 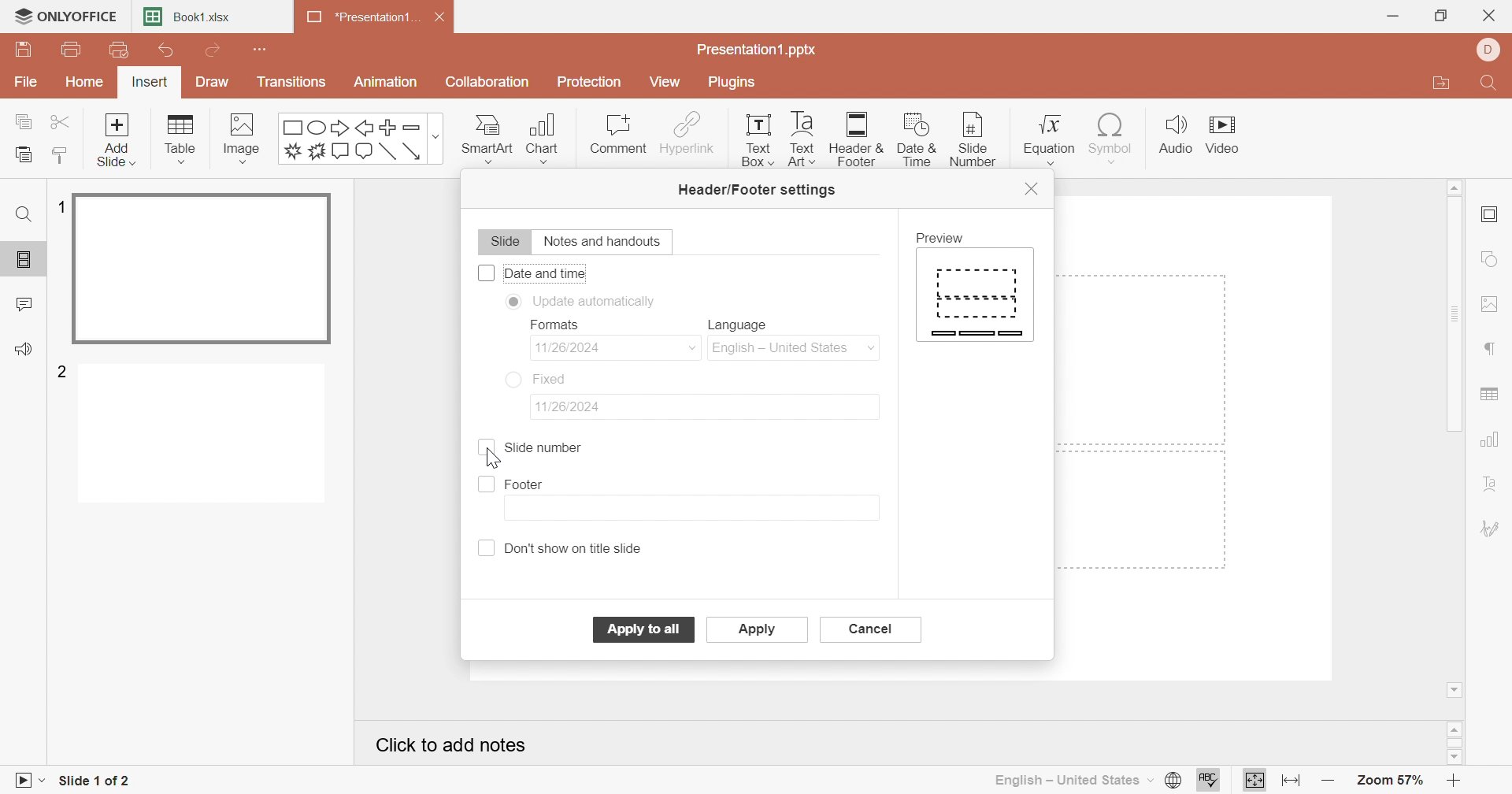 What do you see at coordinates (1491, 528) in the screenshot?
I see `Signature settings` at bounding box center [1491, 528].